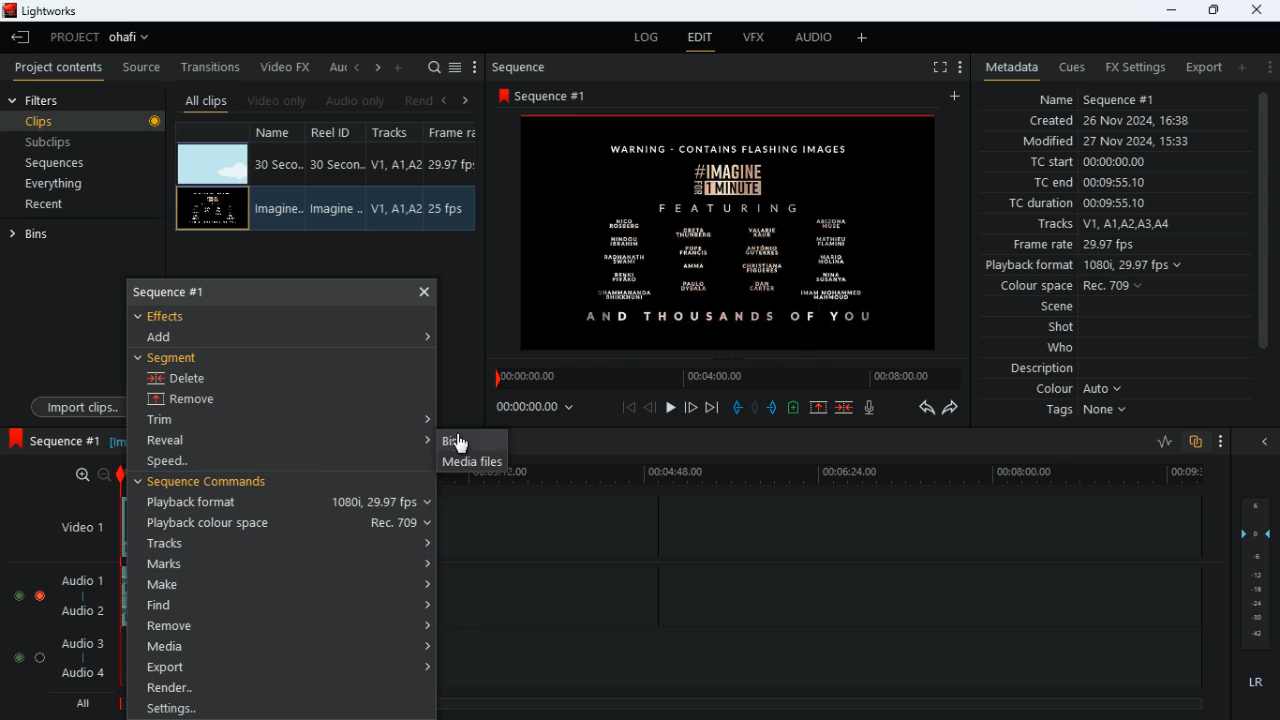 The width and height of the screenshot is (1280, 720). Describe the element at coordinates (279, 710) in the screenshot. I see `settings` at that location.